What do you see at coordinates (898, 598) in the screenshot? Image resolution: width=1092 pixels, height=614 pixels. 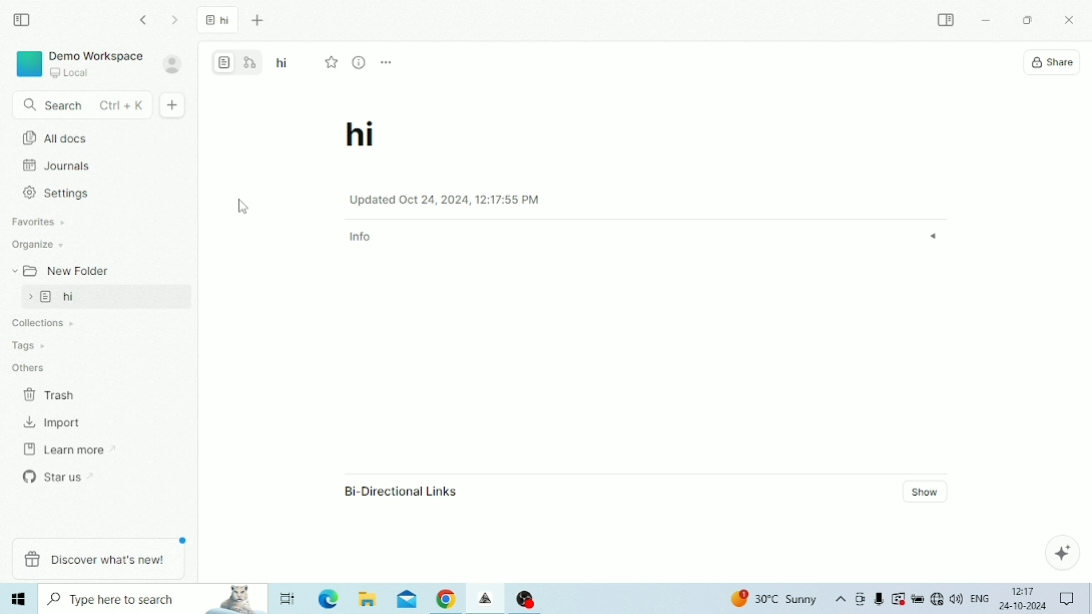 I see `Warning` at bounding box center [898, 598].